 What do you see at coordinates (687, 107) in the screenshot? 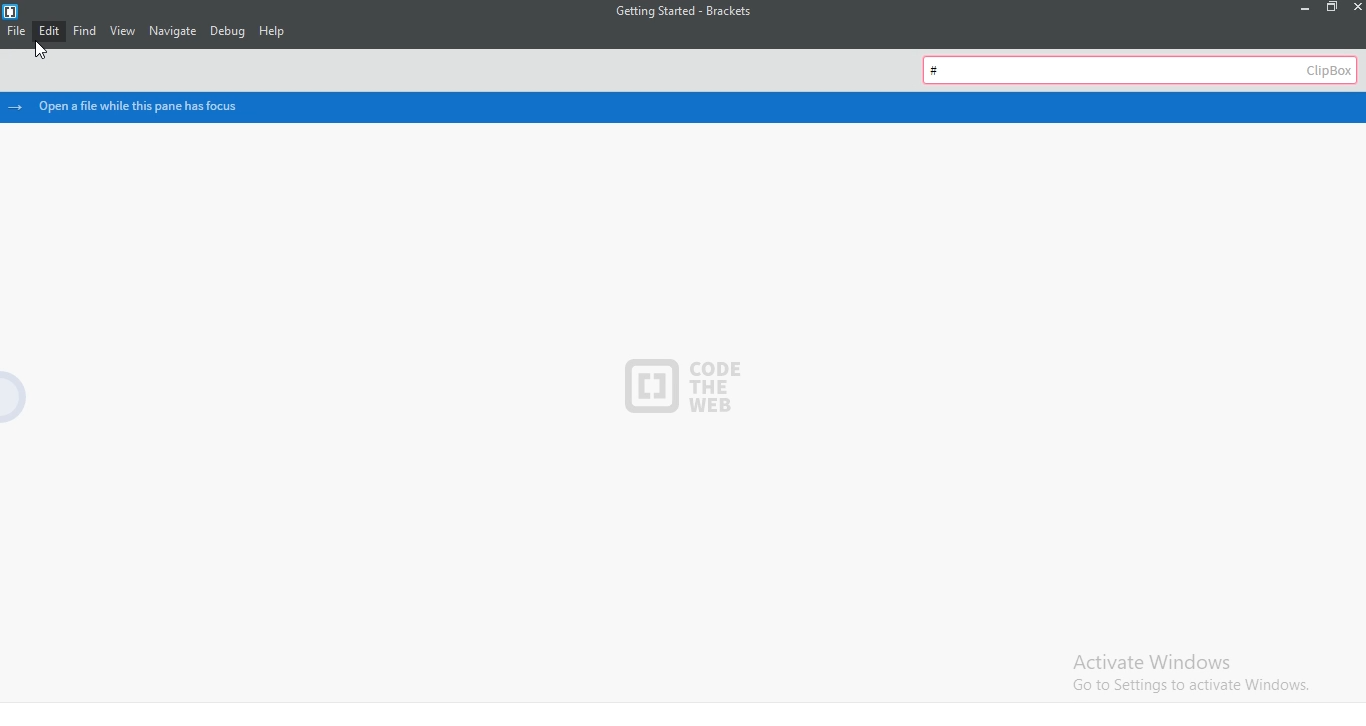
I see `open a file while this pane has focus` at bounding box center [687, 107].